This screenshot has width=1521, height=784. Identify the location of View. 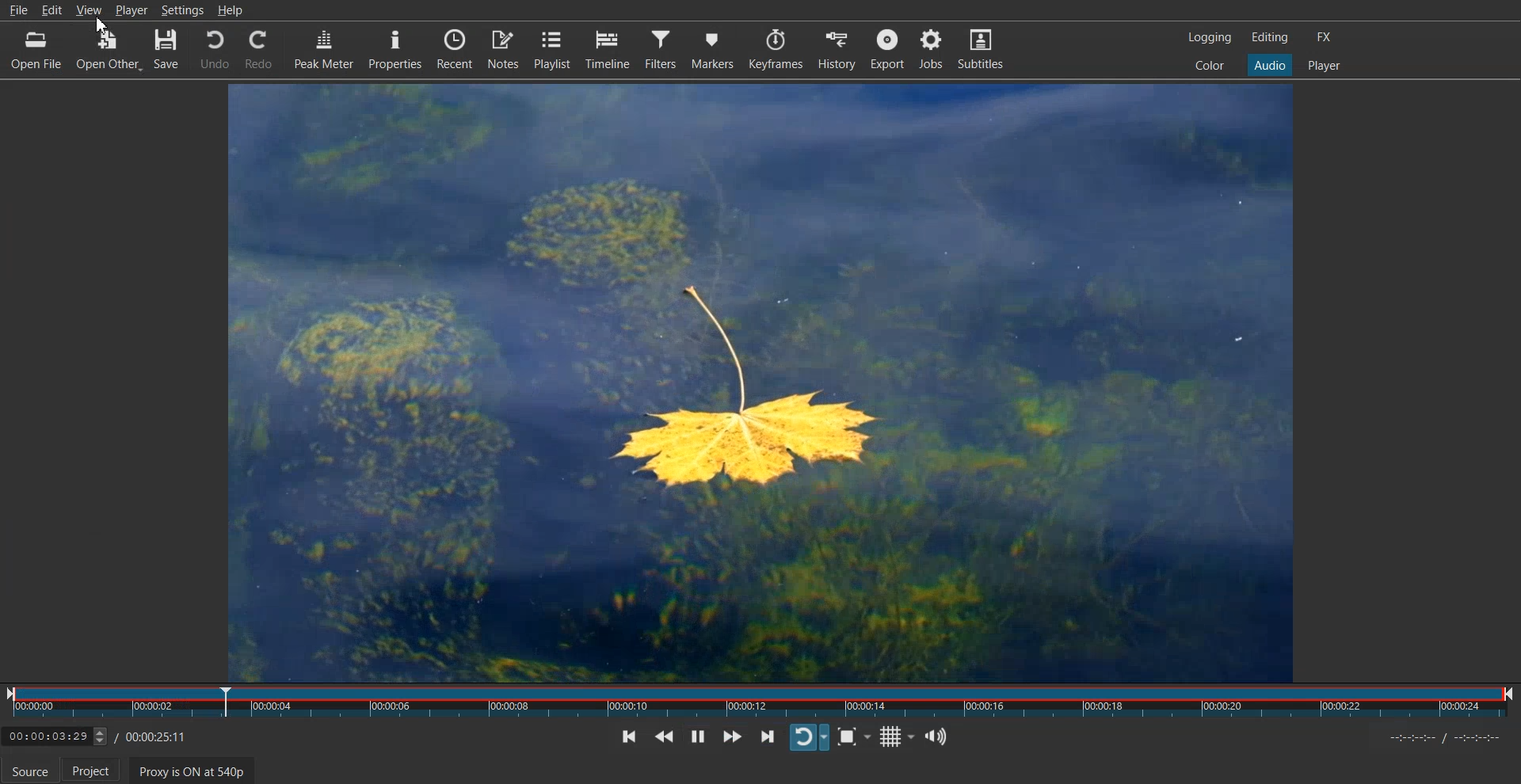
(90, 9).